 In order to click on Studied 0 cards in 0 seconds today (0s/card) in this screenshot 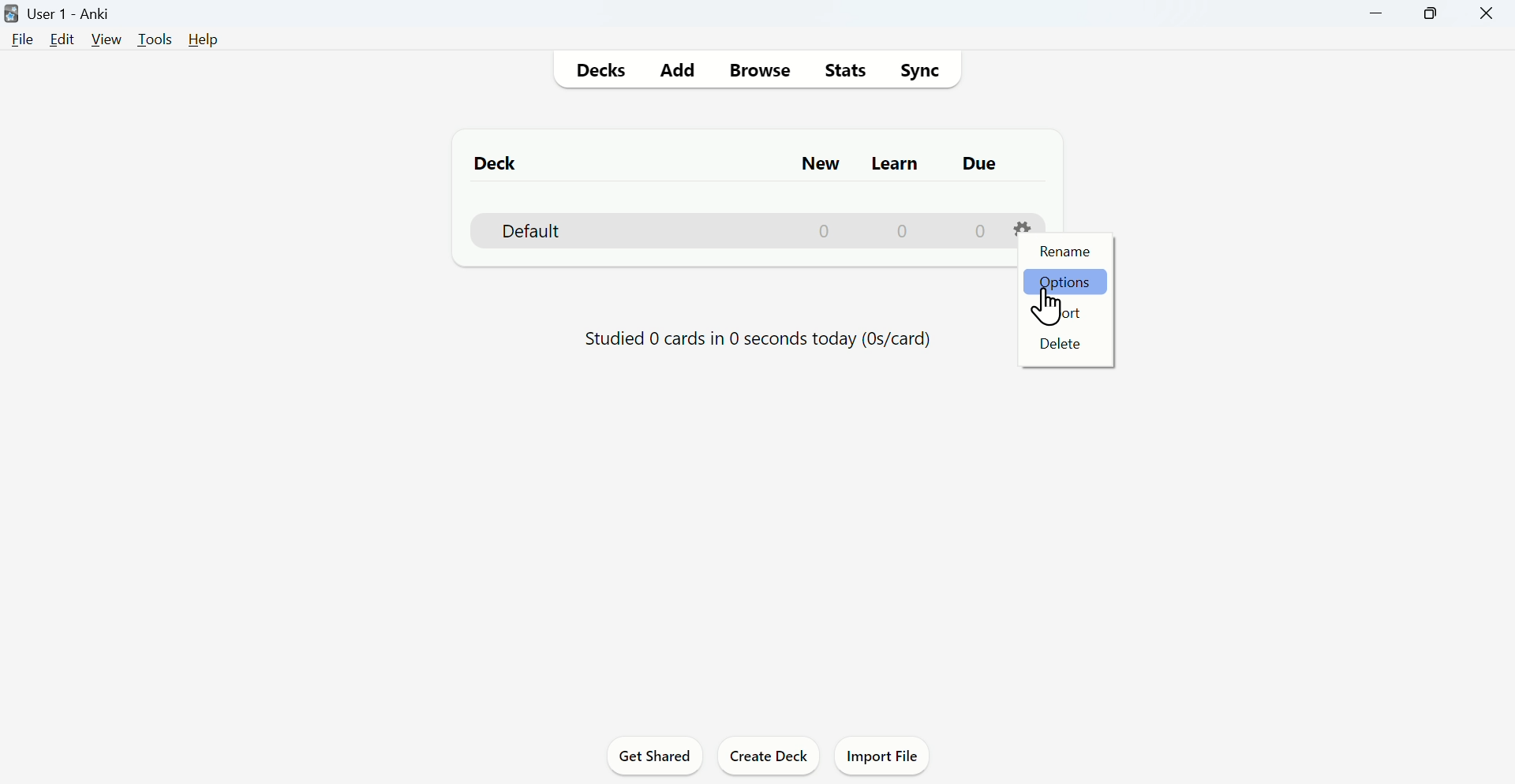, I will do `click(760, 342)`.